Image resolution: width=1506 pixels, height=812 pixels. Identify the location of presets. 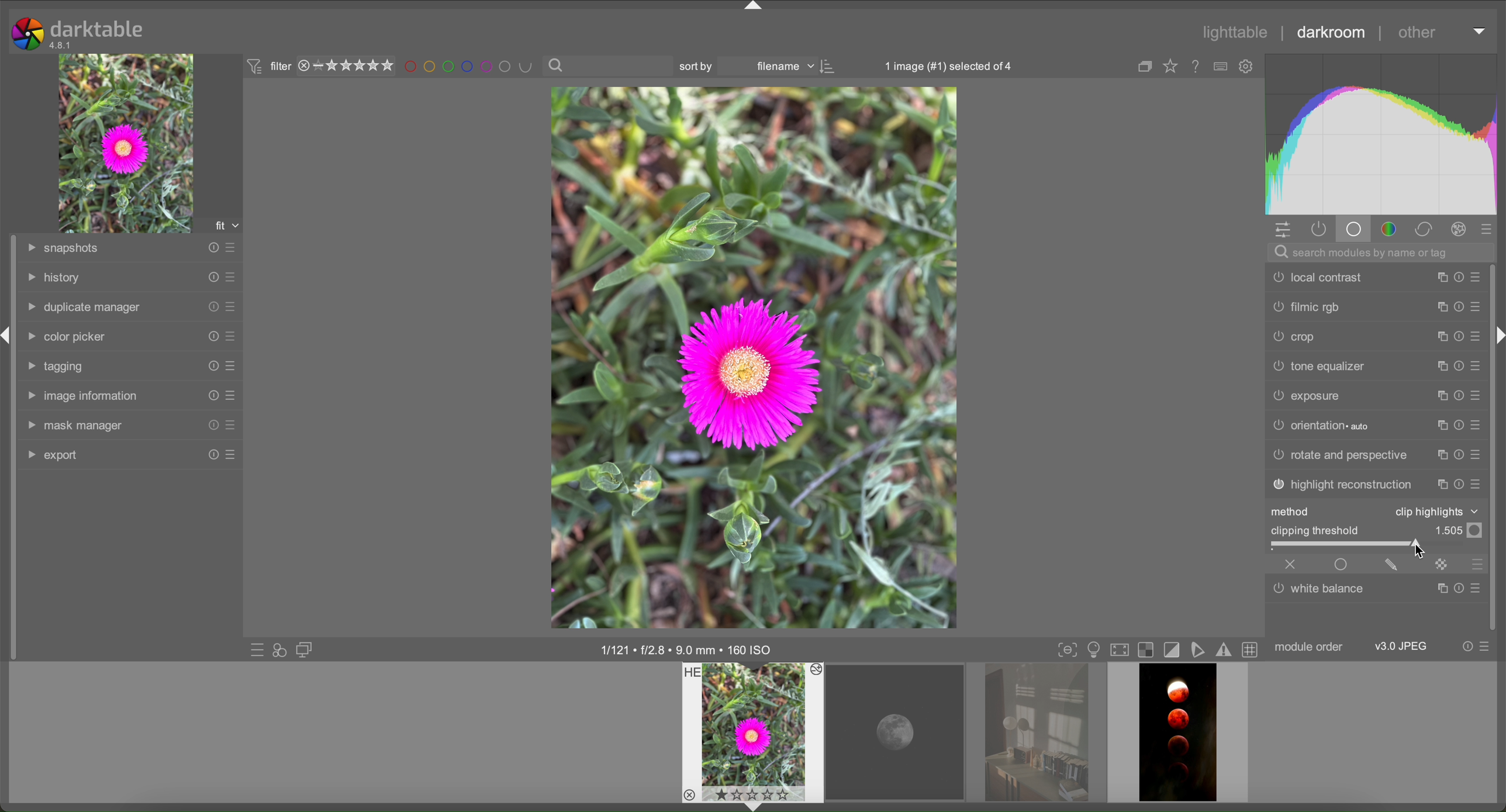
(1477, 335).